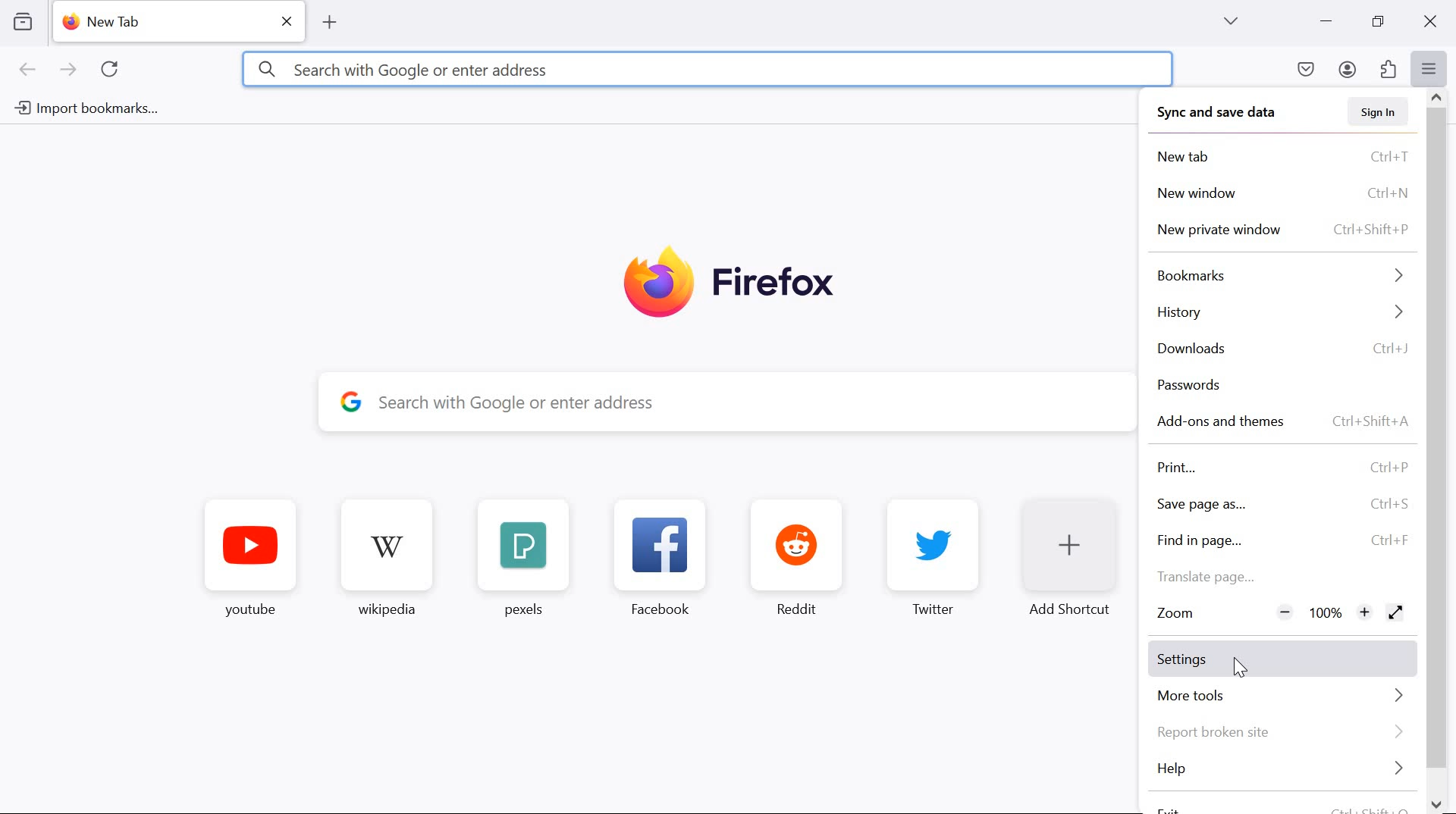  Describe the element at coordinates (795, 550) in the screenshot. I see `Reddit` at that location.